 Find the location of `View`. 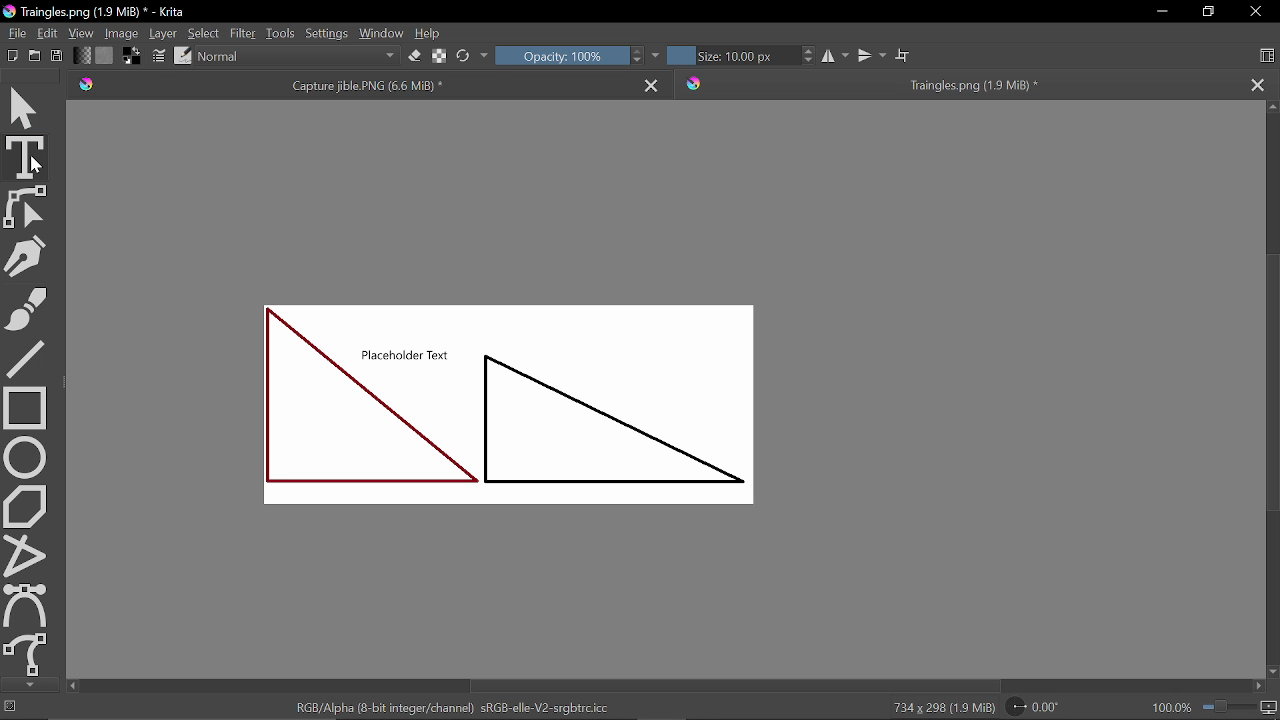

View is located at coordinates (83, 33).